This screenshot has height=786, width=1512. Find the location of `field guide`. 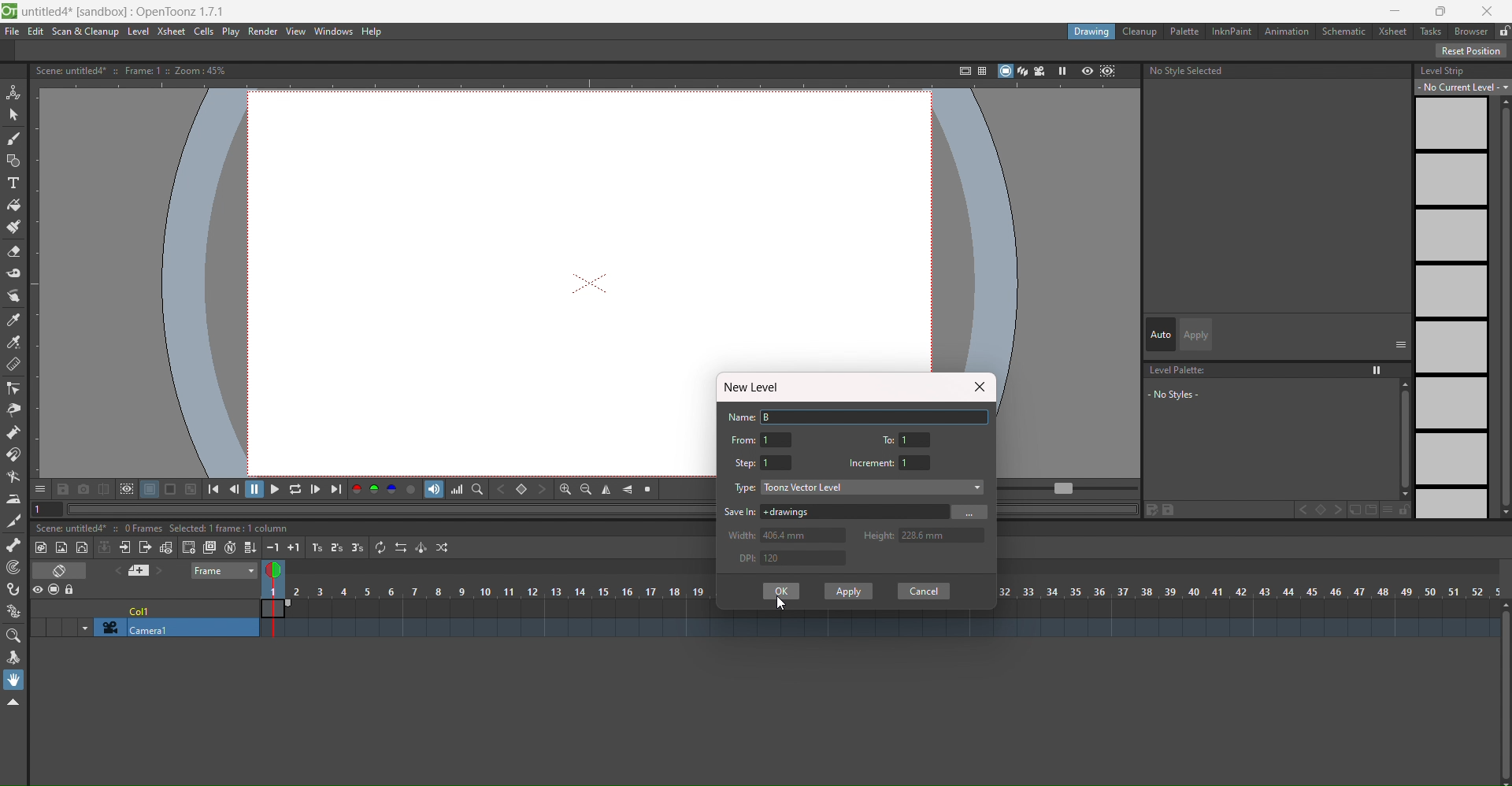

field guide is located at coordinates (980, 70).